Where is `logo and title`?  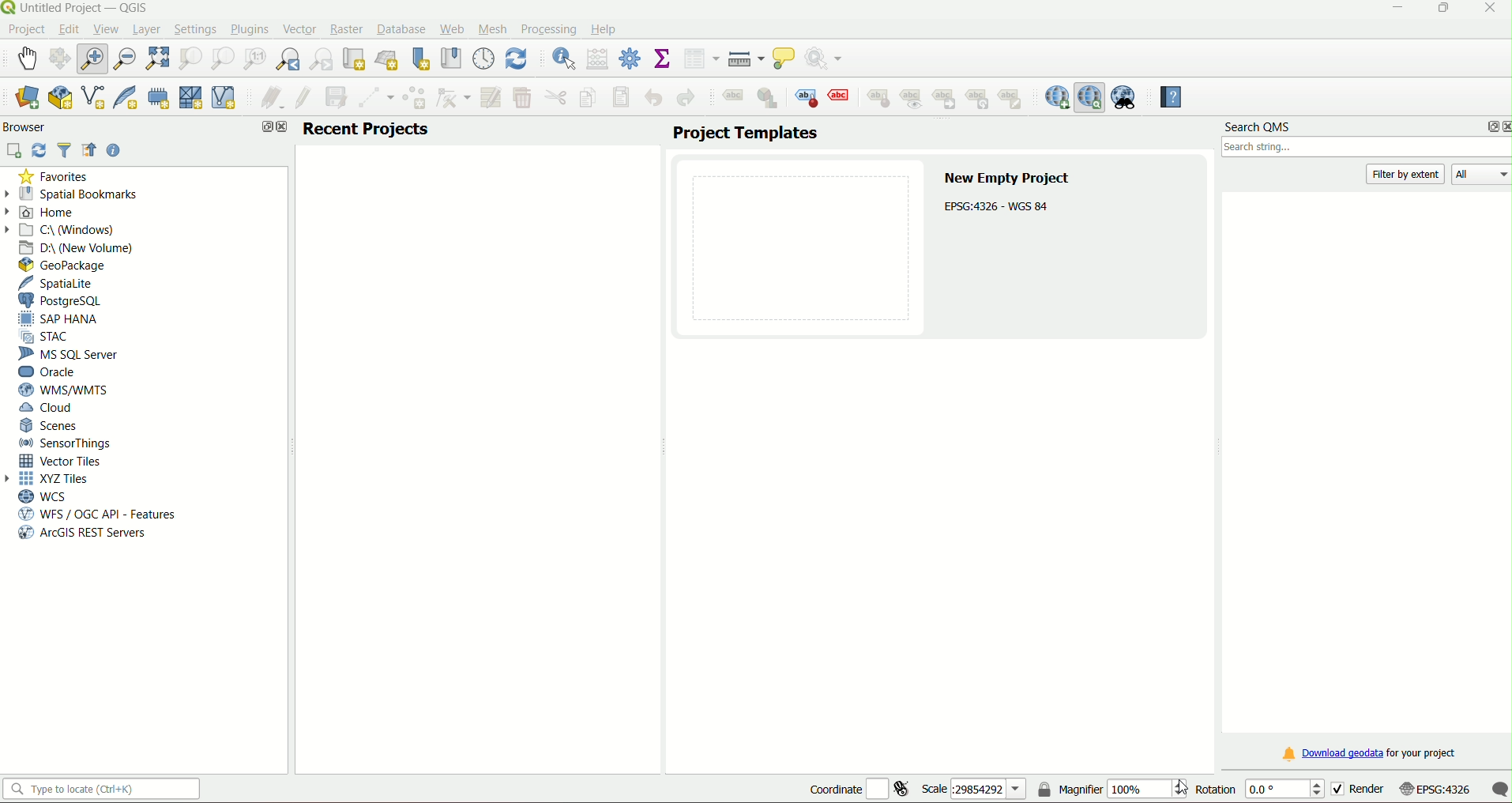
logo and title is located at coordinates (77, 8).